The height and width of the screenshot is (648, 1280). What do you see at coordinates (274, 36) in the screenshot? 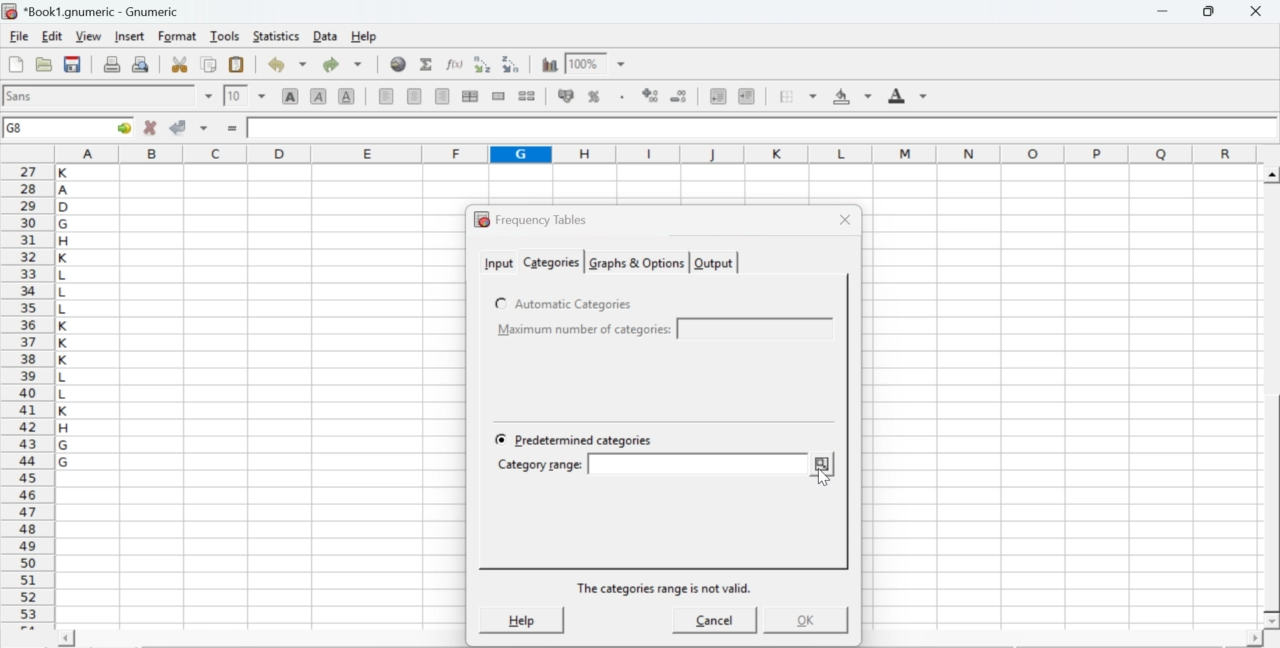
I see `statistics` at bounding box center [274, 36].